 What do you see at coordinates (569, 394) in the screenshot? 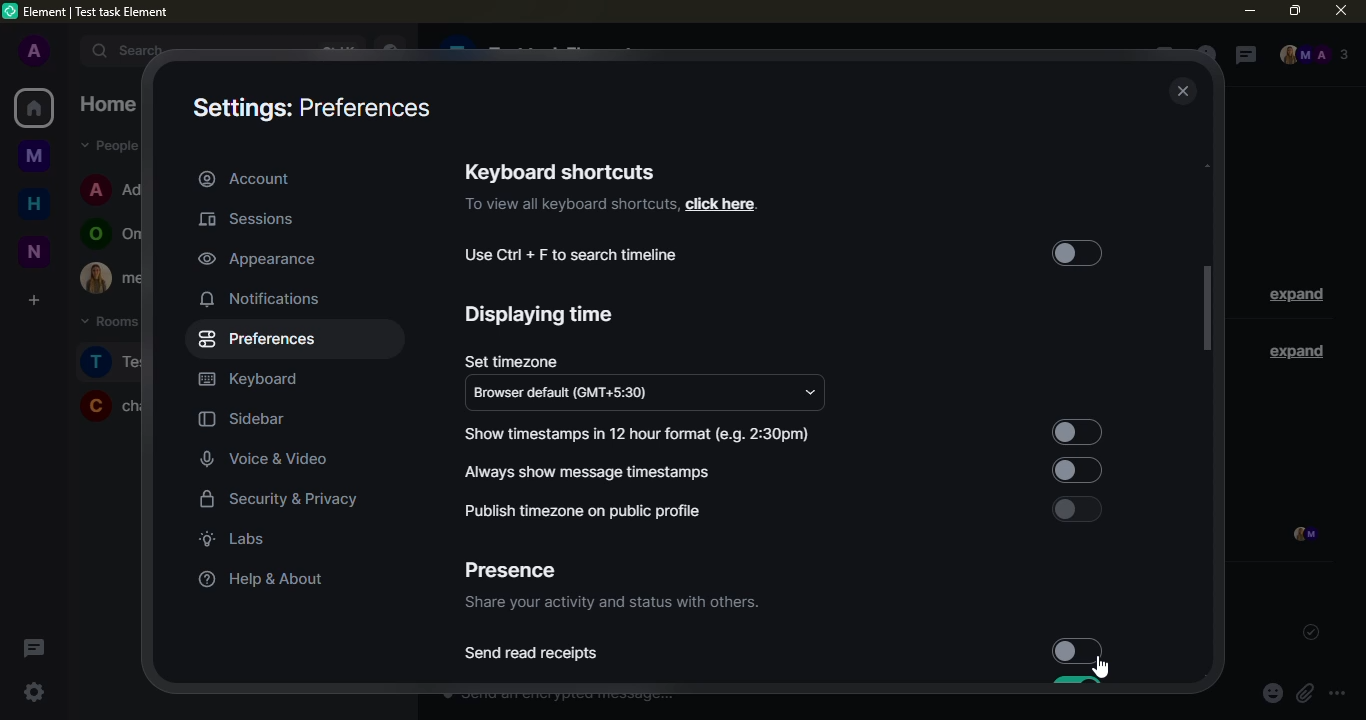
I see `browser default` at bounding box center [569, 394].